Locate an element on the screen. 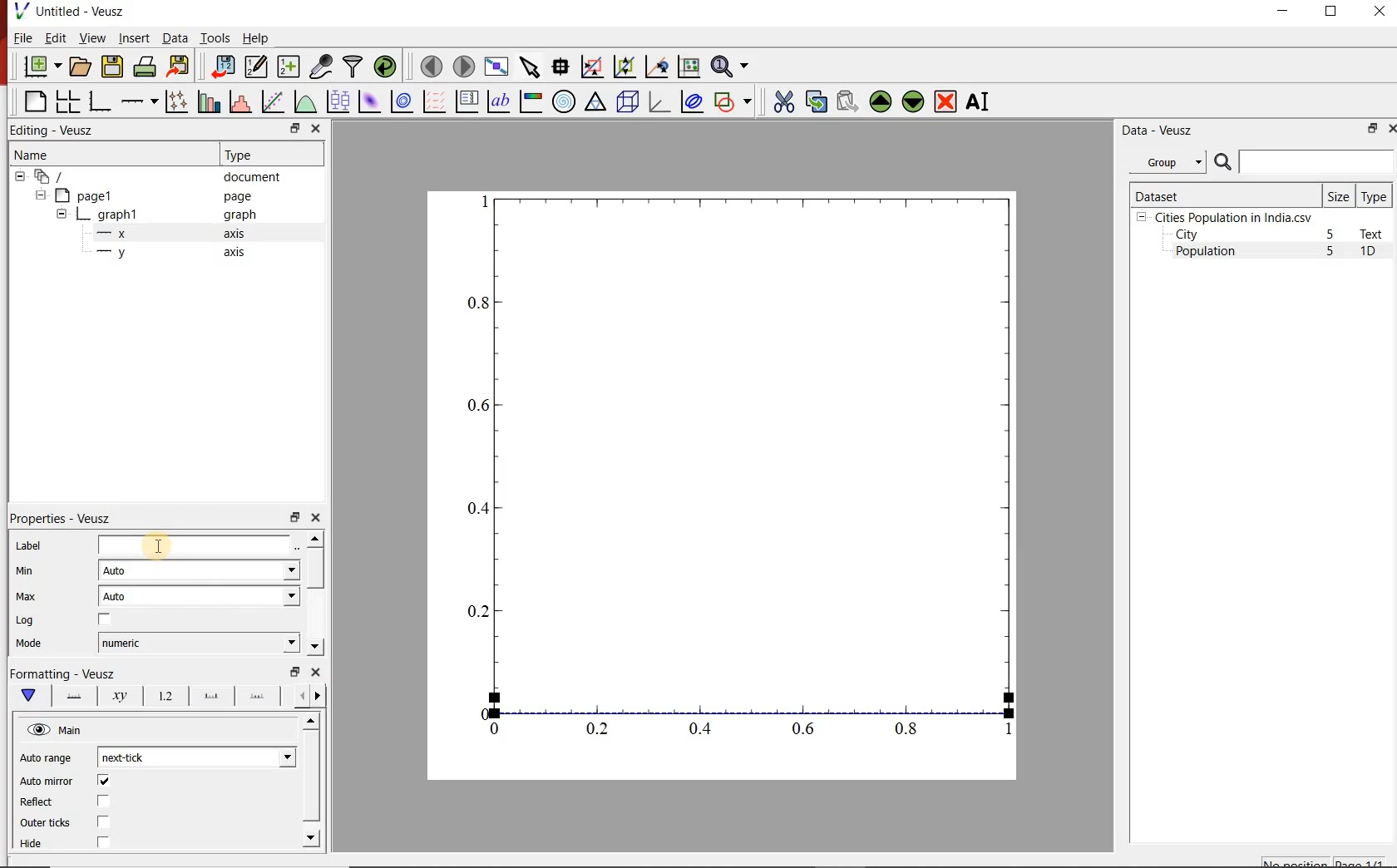 The image size is (1397, 868). Auto is located at coordinates (200, 570).